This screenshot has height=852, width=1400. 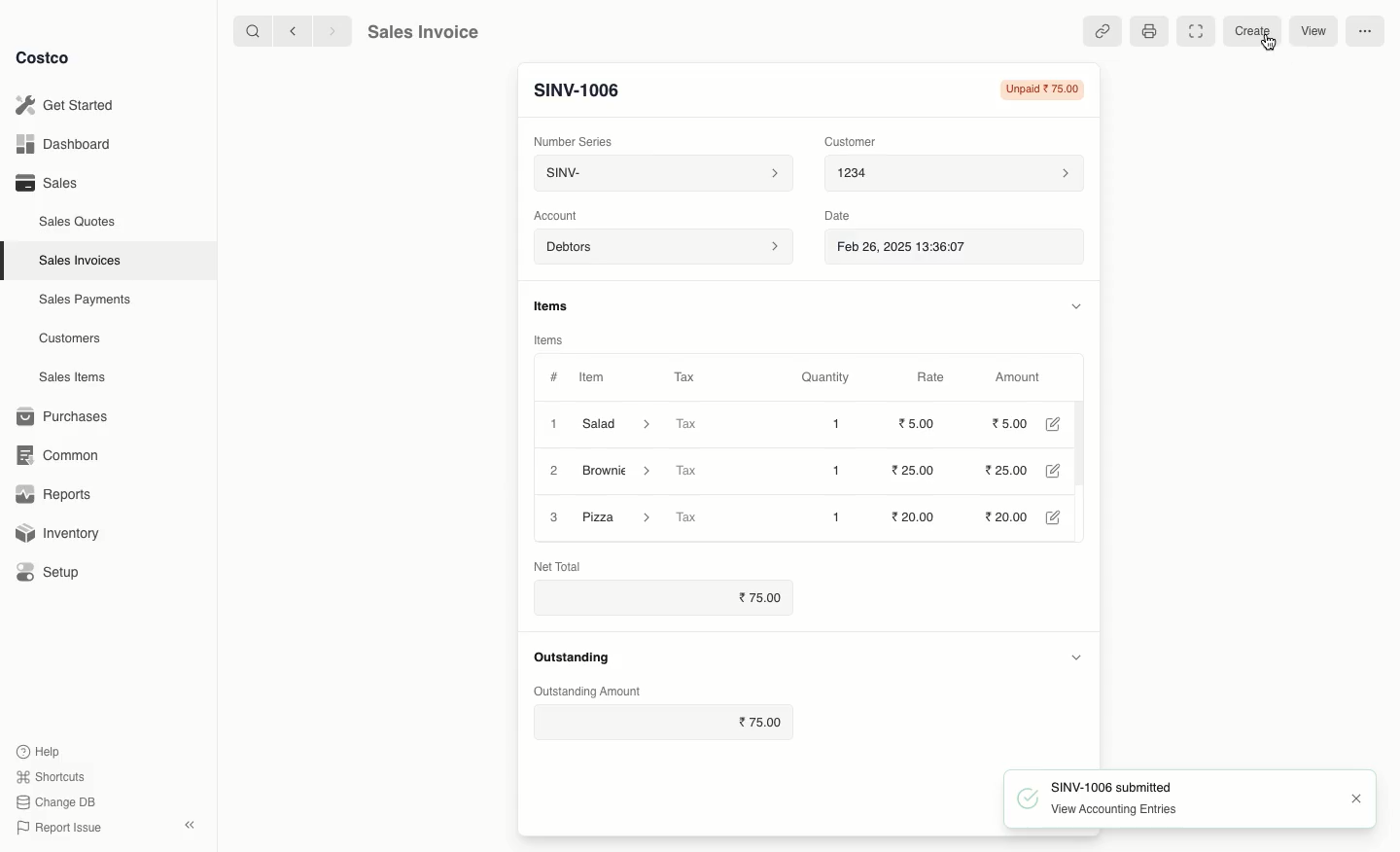 What do you see at coordinates (549, 339) in the screenshot?
I see `Items` at bounding box center [549, 339].